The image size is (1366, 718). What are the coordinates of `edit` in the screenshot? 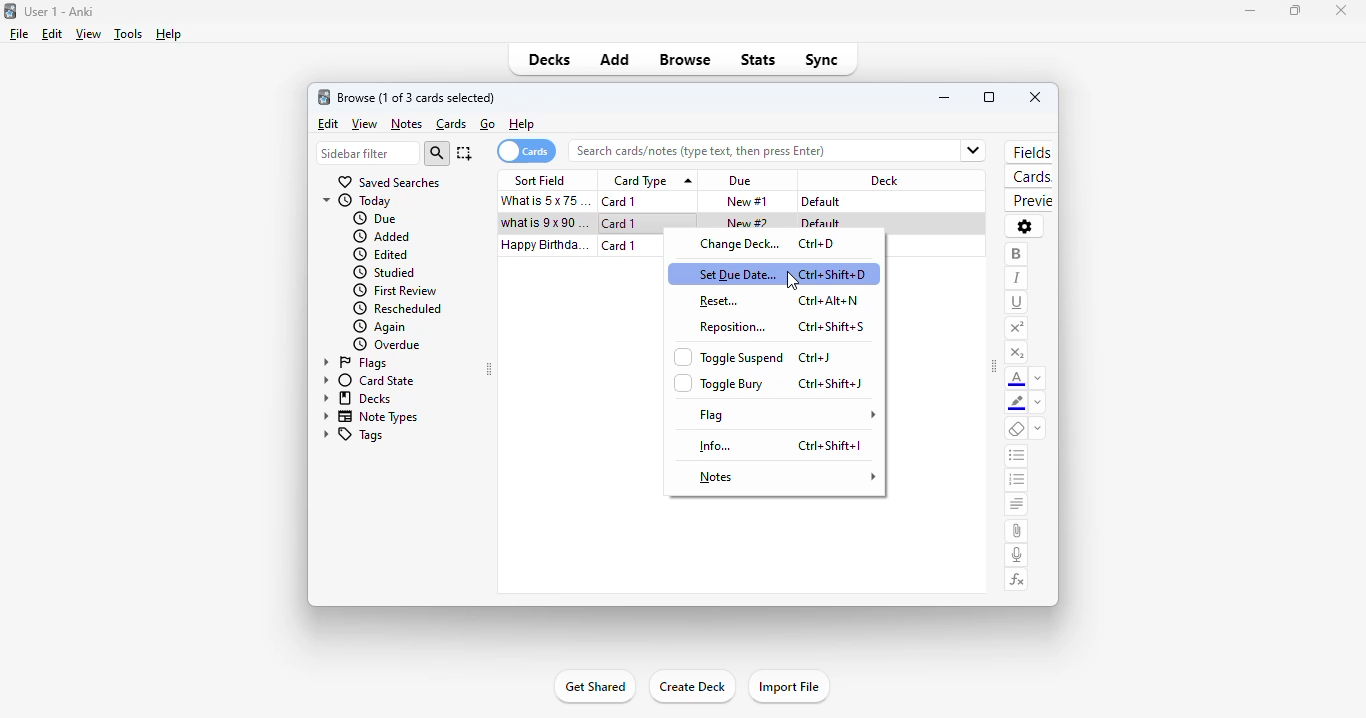 It's located at (329, 124).